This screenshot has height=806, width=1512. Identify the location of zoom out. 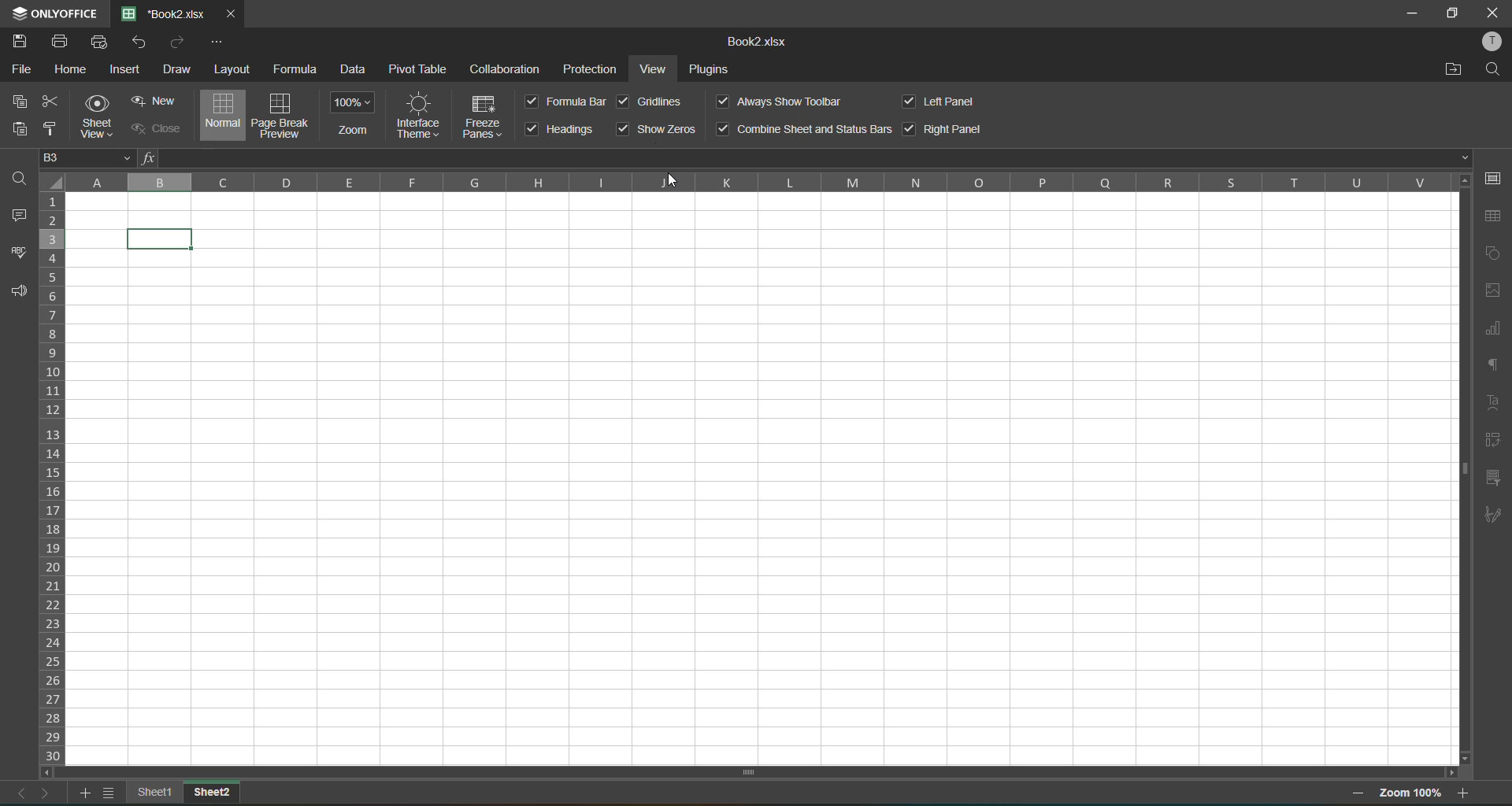
(1359, 794).